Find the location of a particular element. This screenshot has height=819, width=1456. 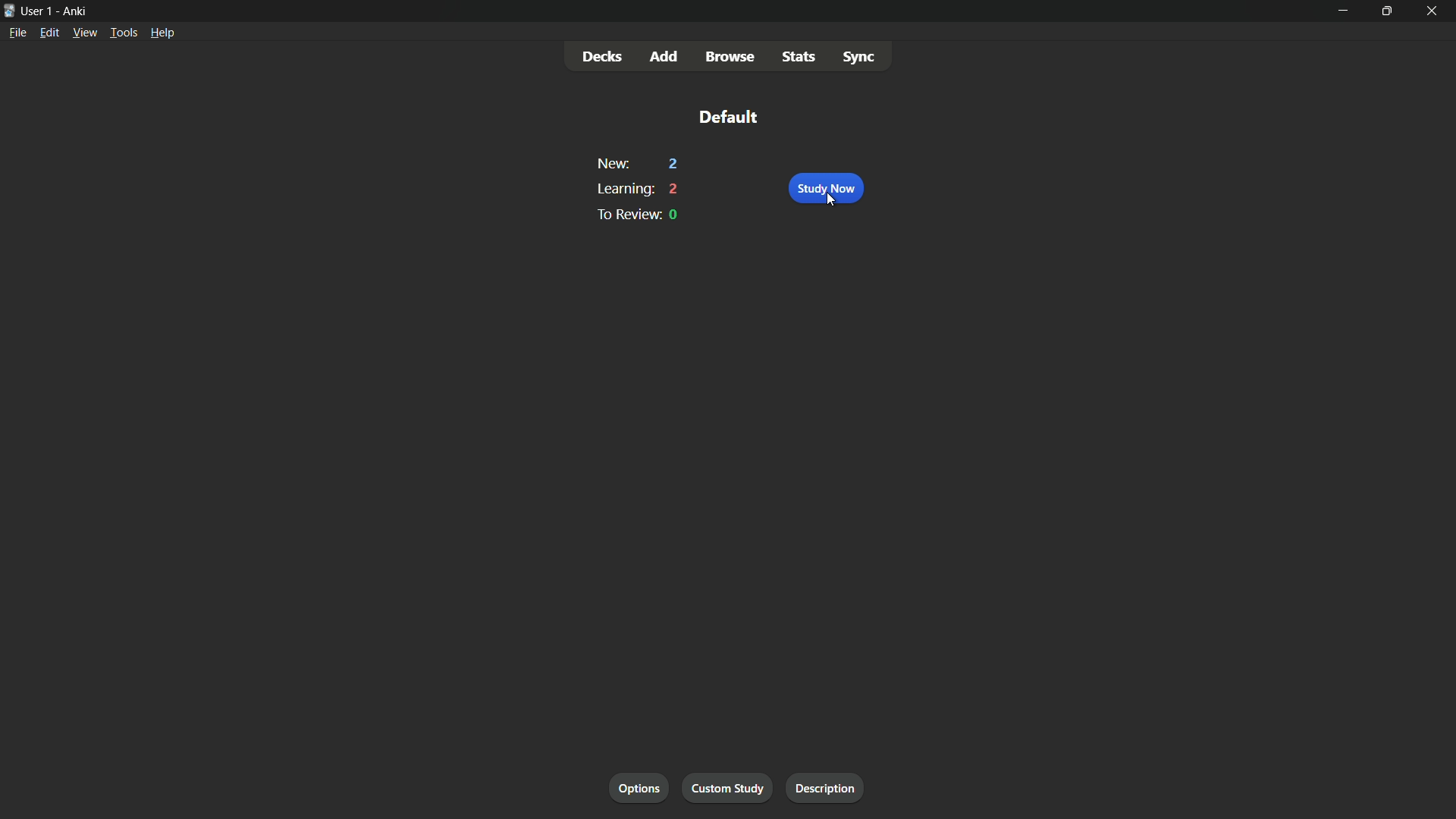

app name is located at coordinates (74, 12).